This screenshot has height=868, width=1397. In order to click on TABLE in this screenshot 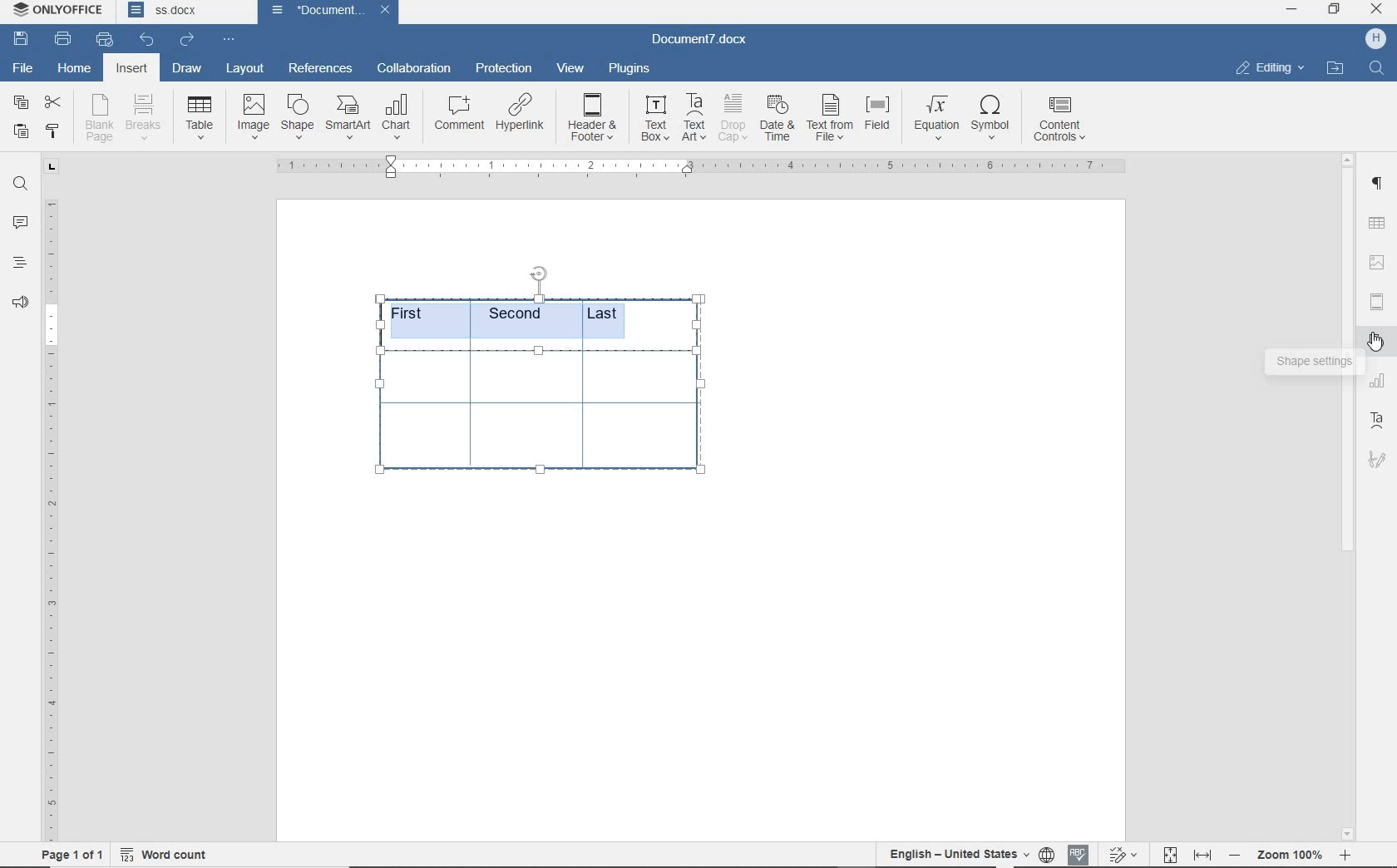, I will do `click(1379, 382)`.